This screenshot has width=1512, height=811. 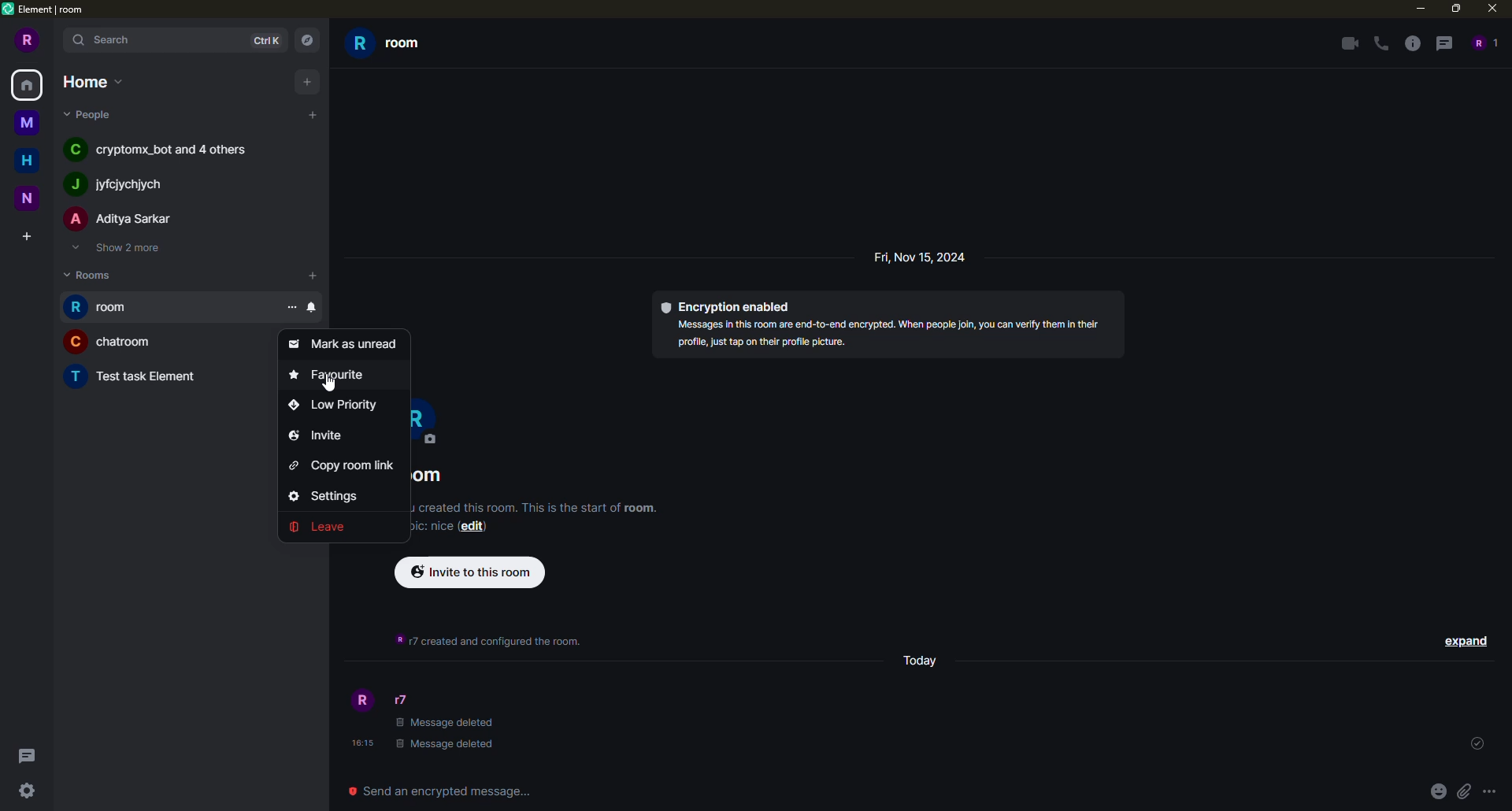 What do you see at coordinates (107, 343) in the screenshot?
I see `C chatroom` at bounding box center [107, 343].